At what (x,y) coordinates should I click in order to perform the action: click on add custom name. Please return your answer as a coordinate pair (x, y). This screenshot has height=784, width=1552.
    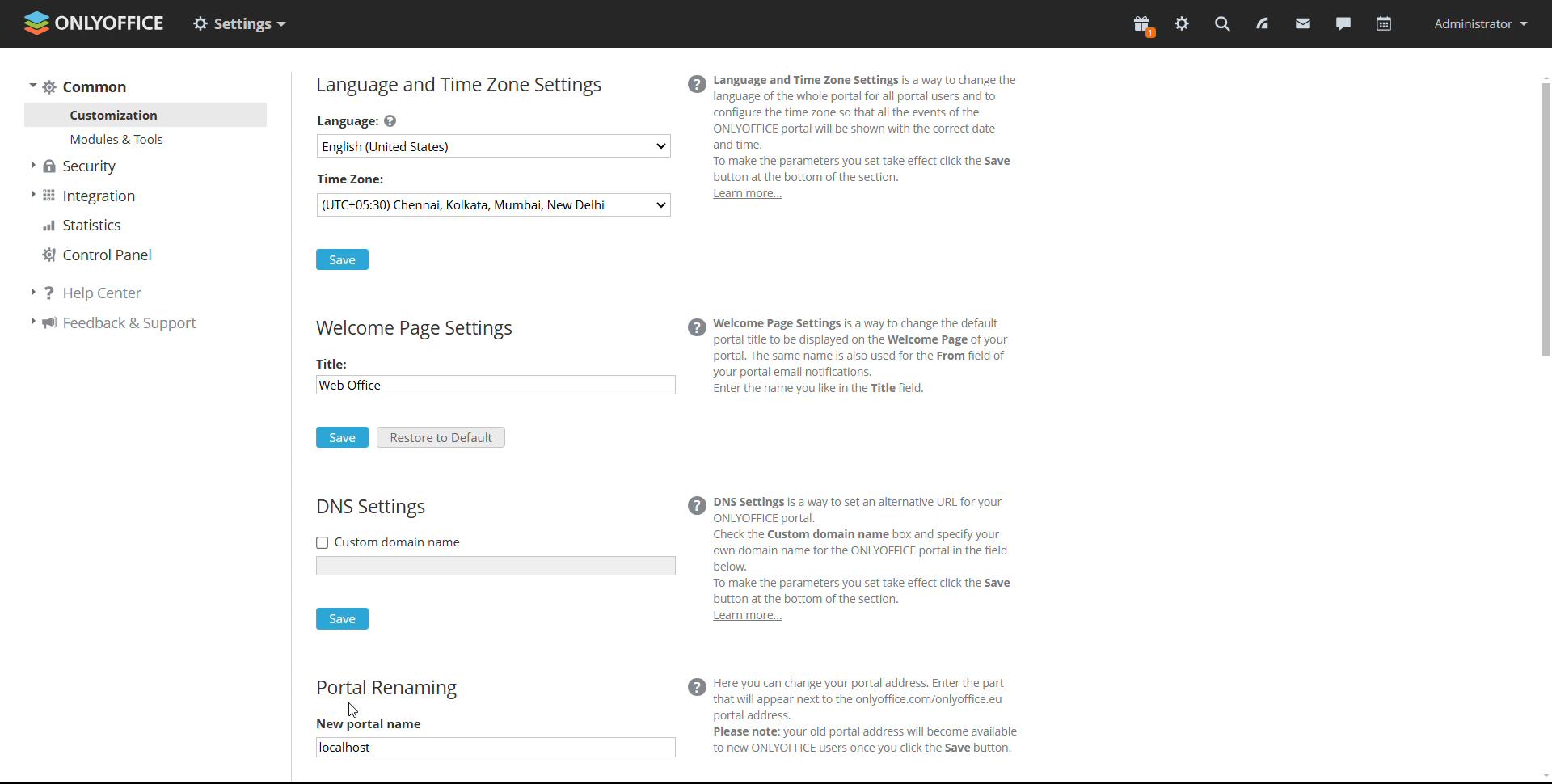
    Looking at the image, I should click on (497, 566).